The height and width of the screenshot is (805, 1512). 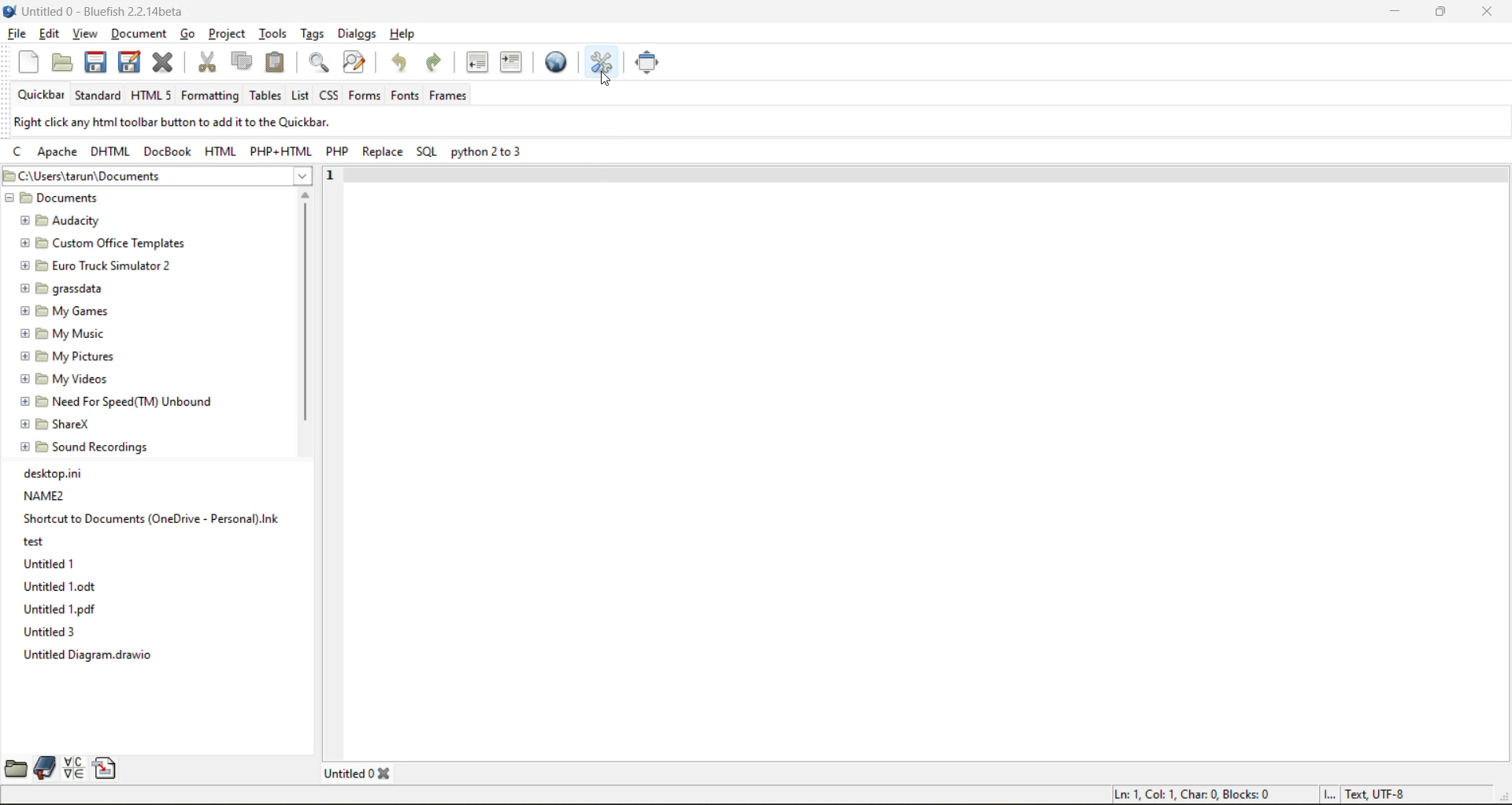 What do you see at coordinates (65, 219) in the screenshot?
I see `BE Audacity` at bounding box center [65, 219].